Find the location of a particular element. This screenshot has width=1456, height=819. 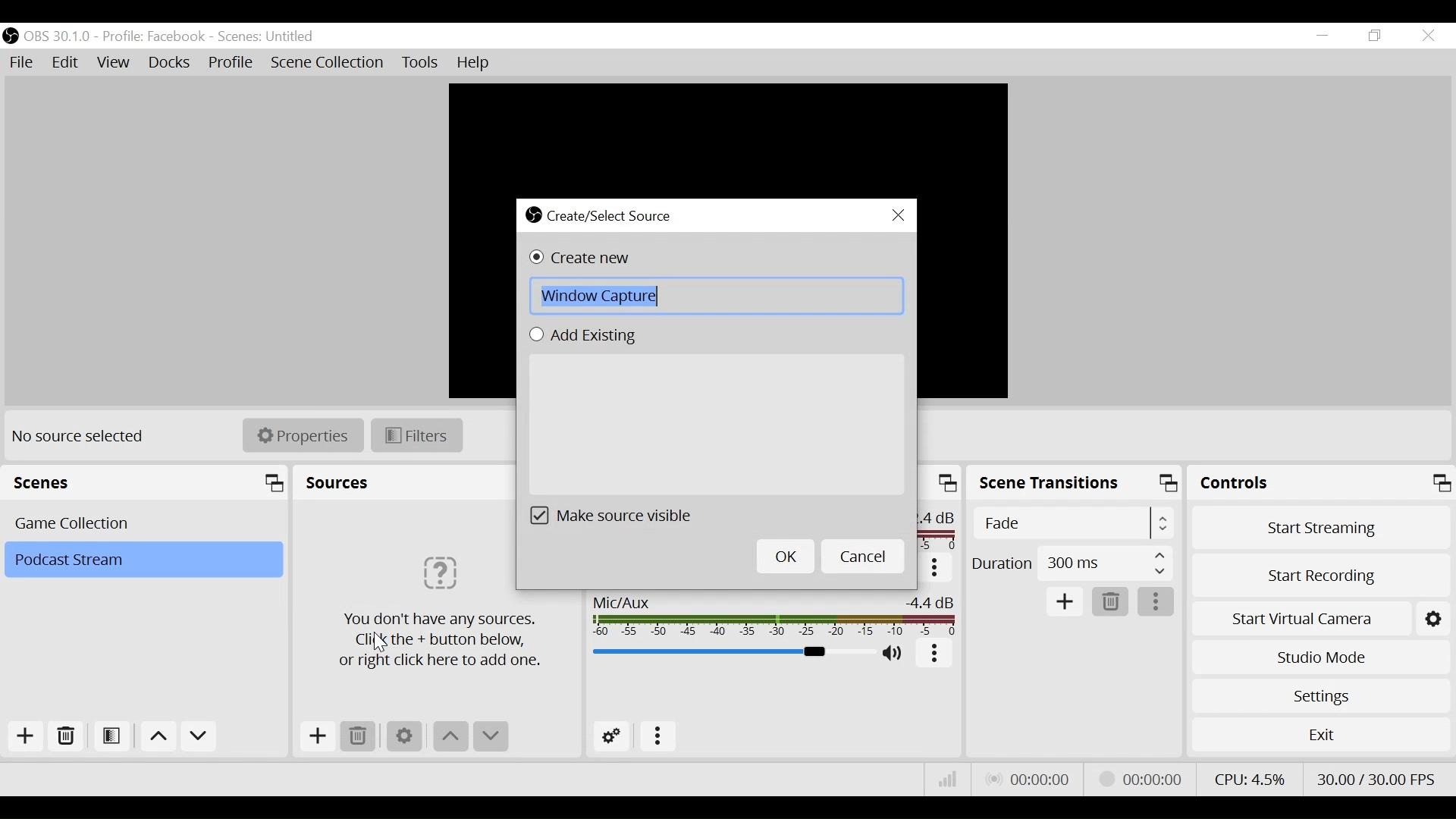

Maximize is located at coordinates (943, 485).